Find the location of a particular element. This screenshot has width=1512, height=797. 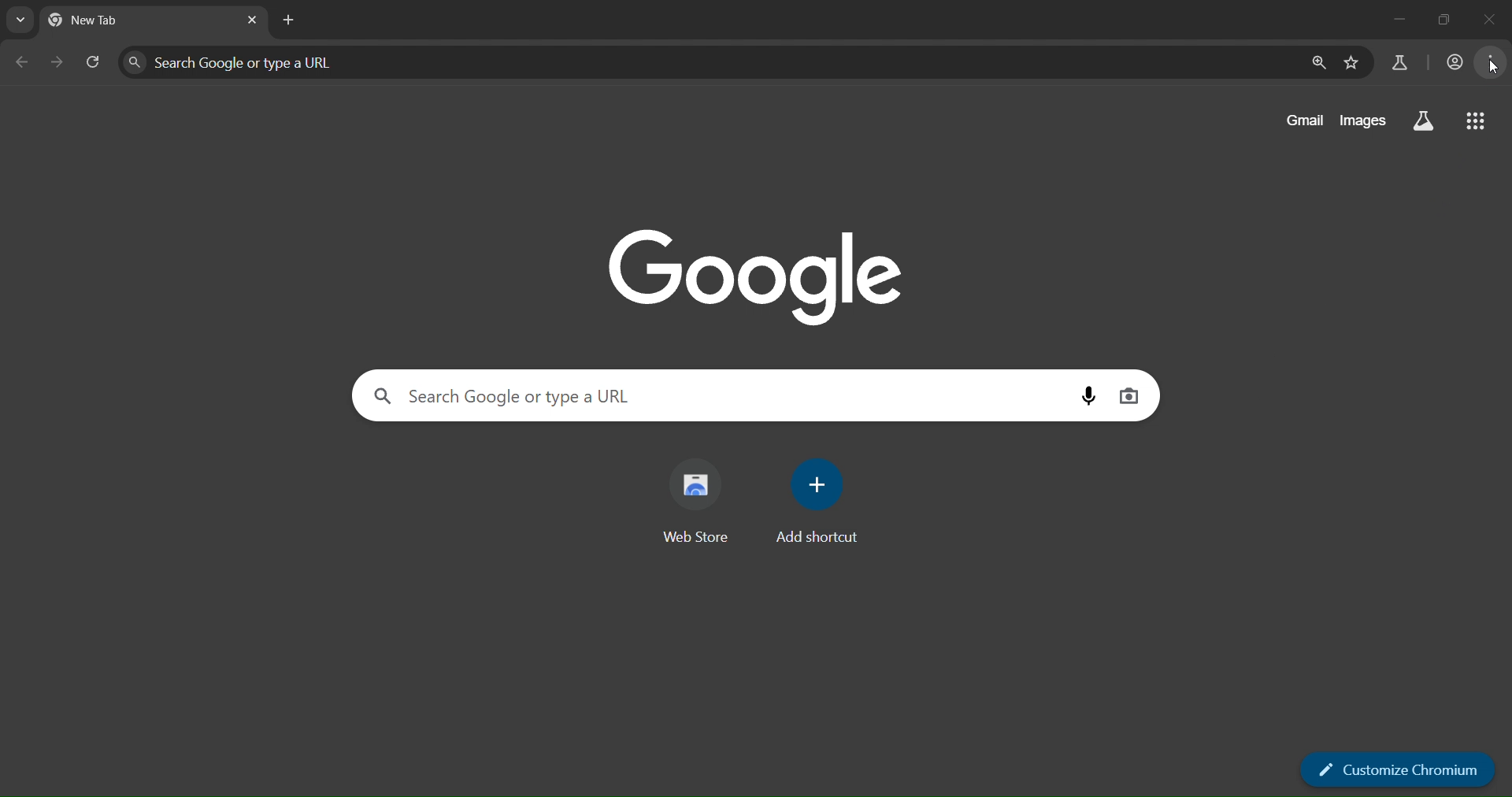

account is located at coordinates (1452, 63).